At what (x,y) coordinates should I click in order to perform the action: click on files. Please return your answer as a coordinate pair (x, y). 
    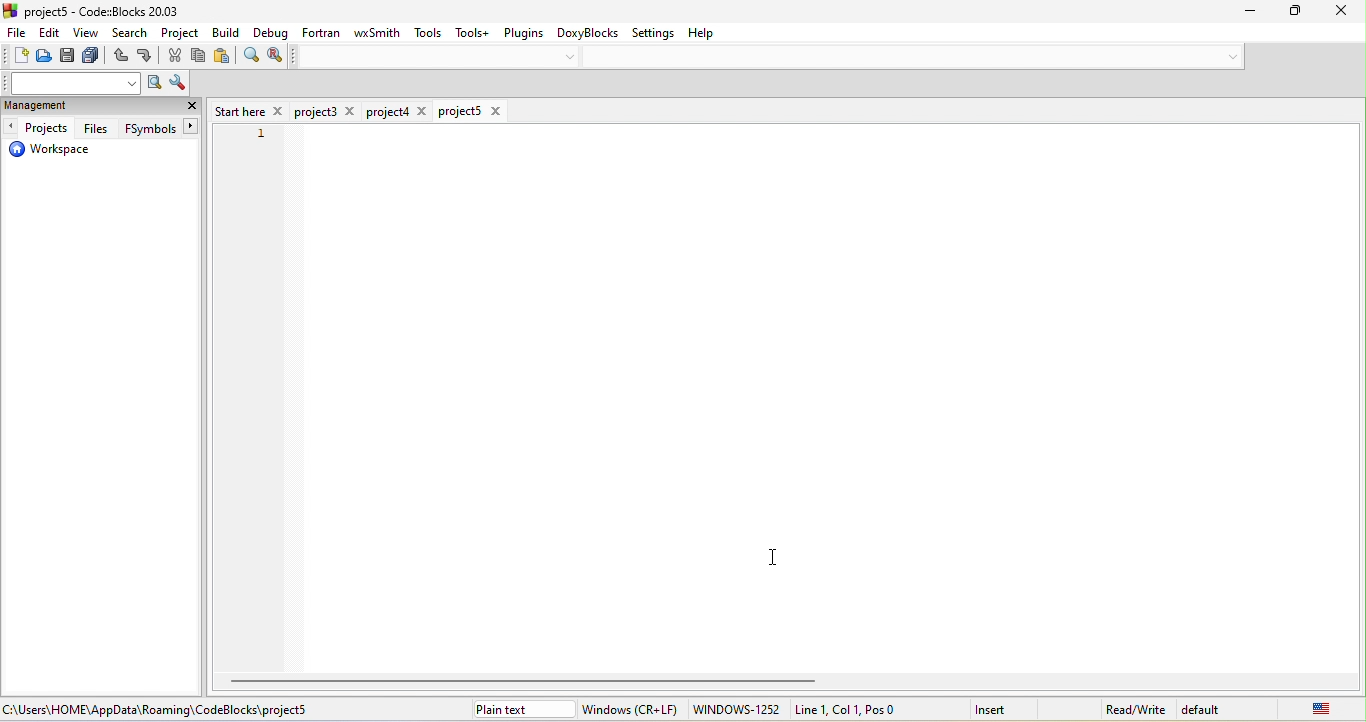
    Looking at the image, I should click on (96, 128).